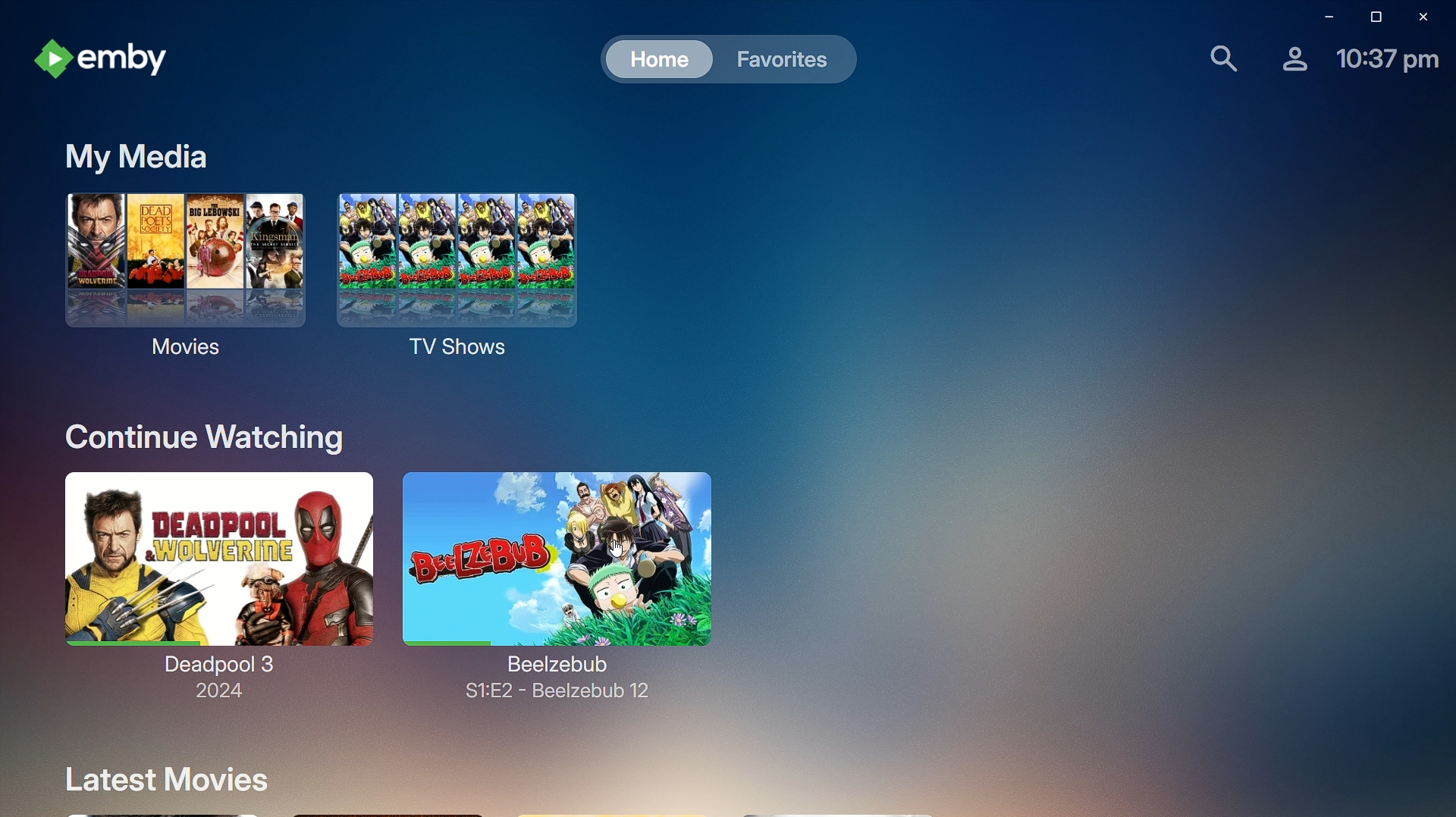 This screenshot has width=1456, height=817. What do you see at coordinates (167, 778) in the screenshot?
I see `Latest Movies` at bounding box center [167, 778].